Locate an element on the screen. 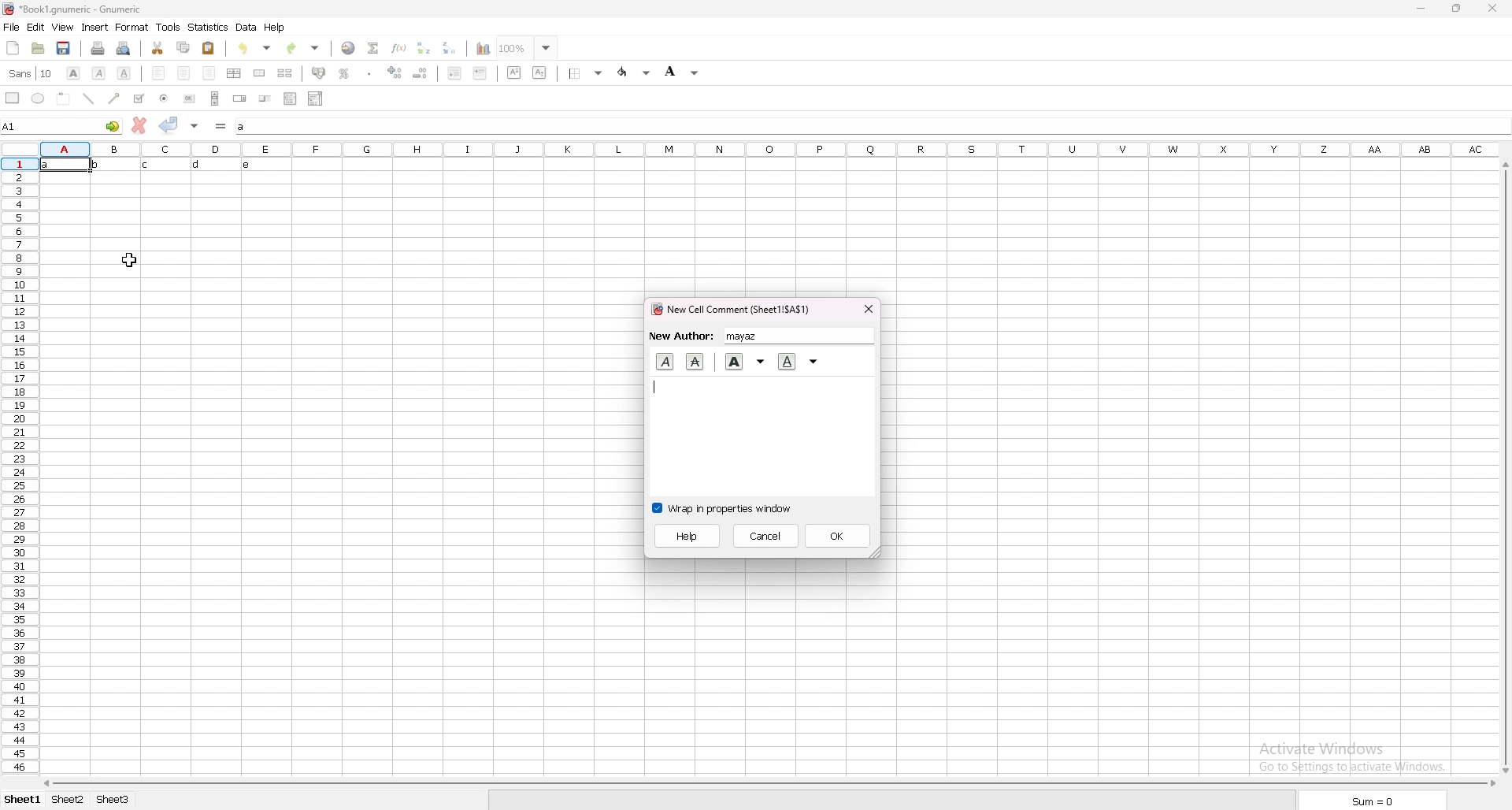 The image size is (1512, 810). arrowed line is located at coordinates (117, 98).